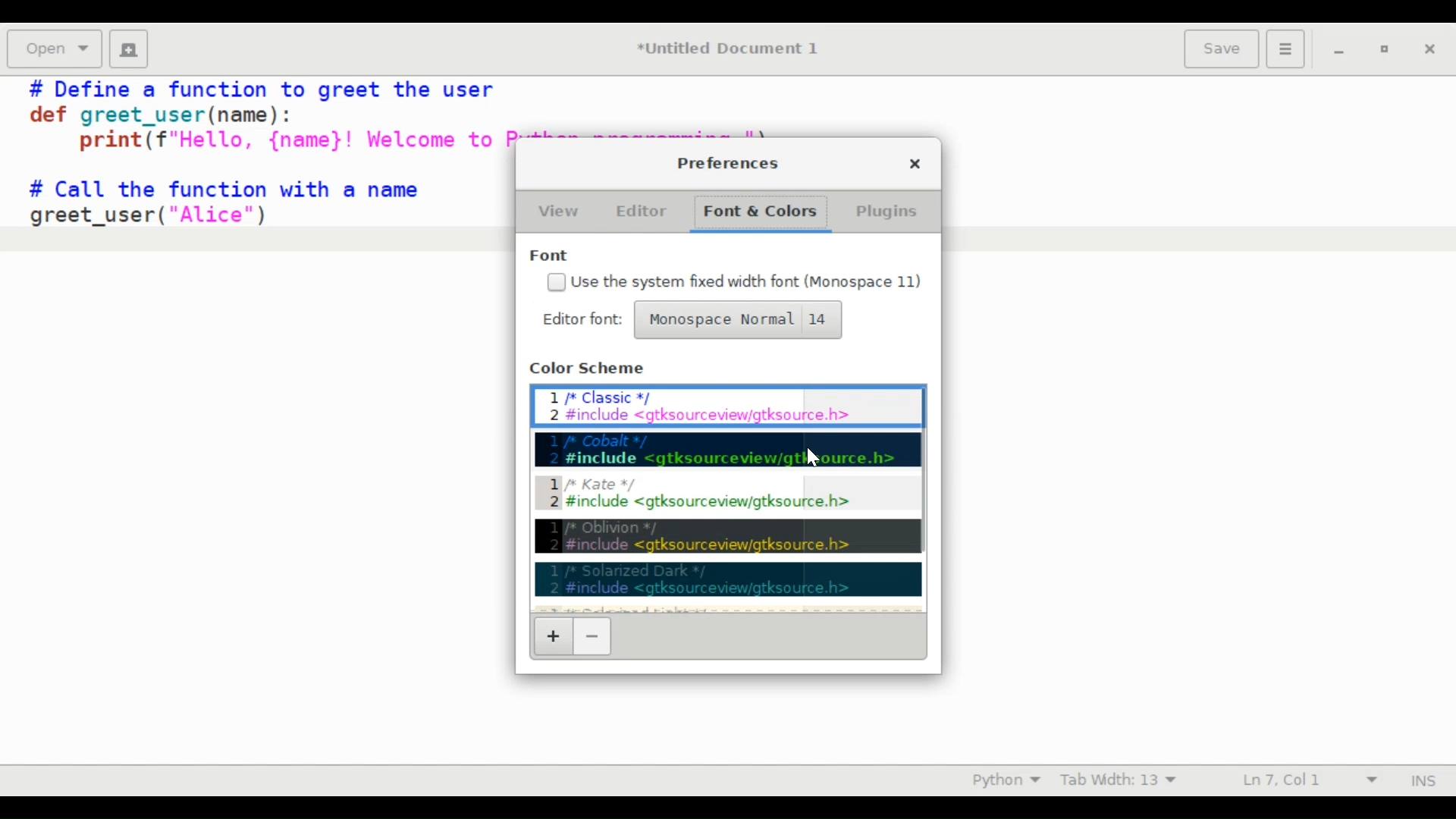  What do you see at coordinates (591, 369) in the screenshot?
I see `Color Scheme ` at bounding box center [591, 369].